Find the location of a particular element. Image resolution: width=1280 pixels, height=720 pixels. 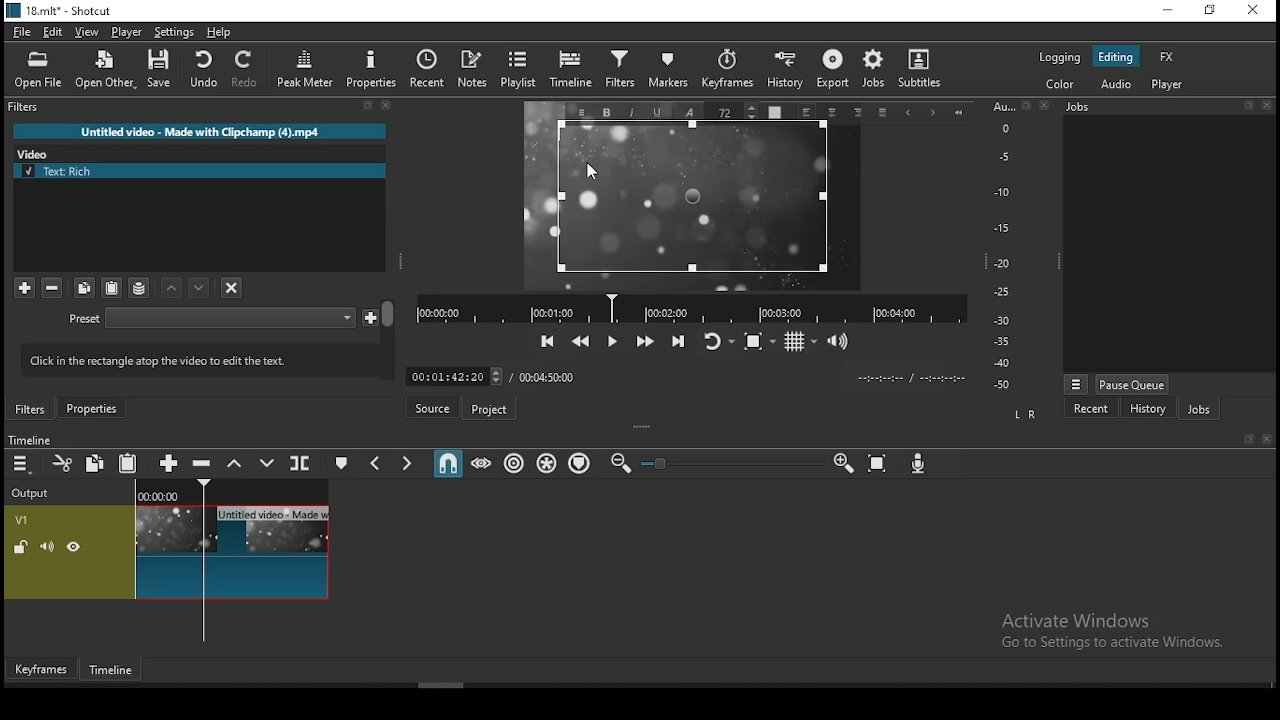

export is located at coordinates (831, 72).